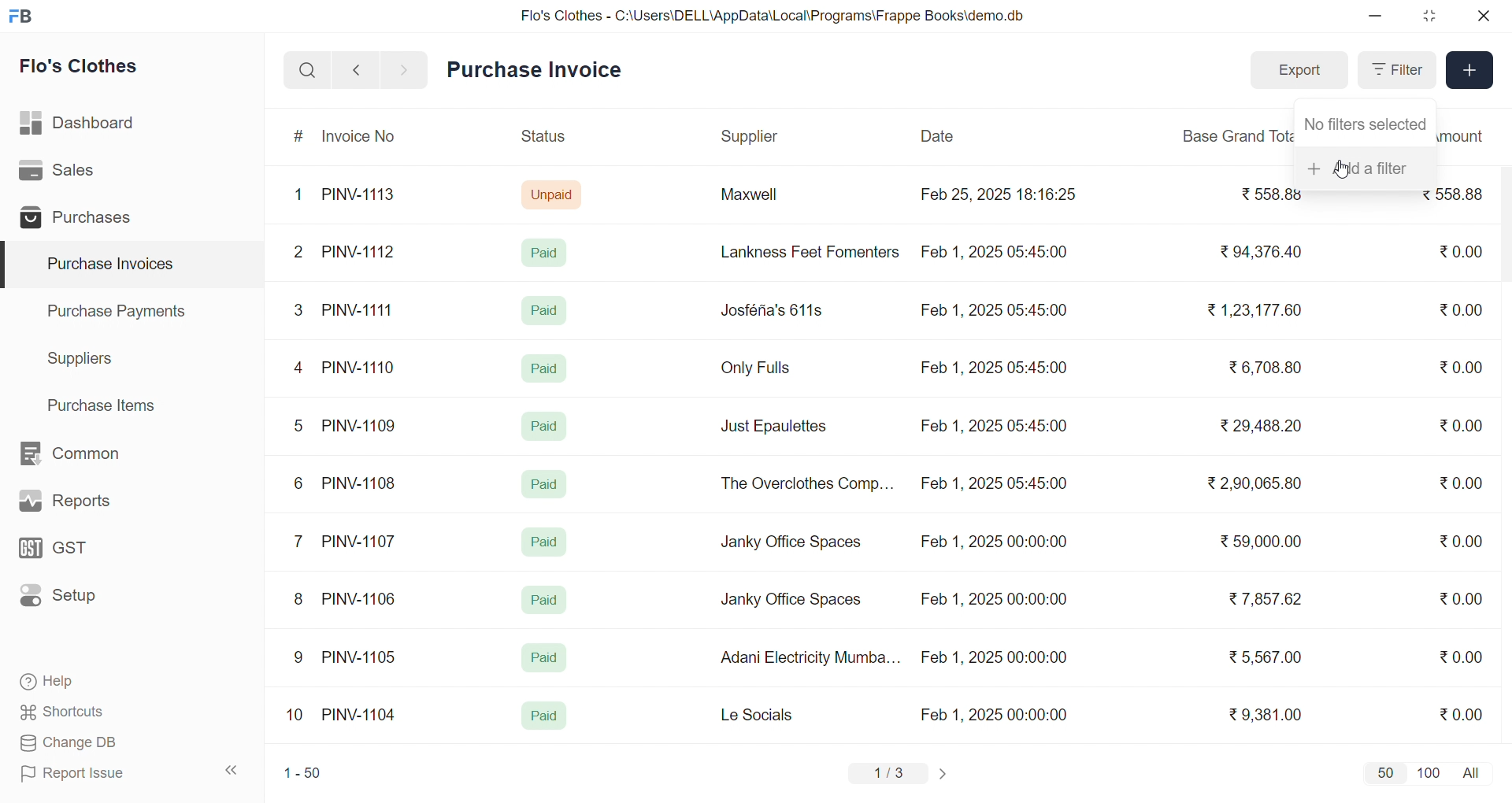 This screenshot has width=1512, height=803. What do you see at coordinates (544, 716) in the screenshot?
I see `Paid` at bounding box center [544, 716].